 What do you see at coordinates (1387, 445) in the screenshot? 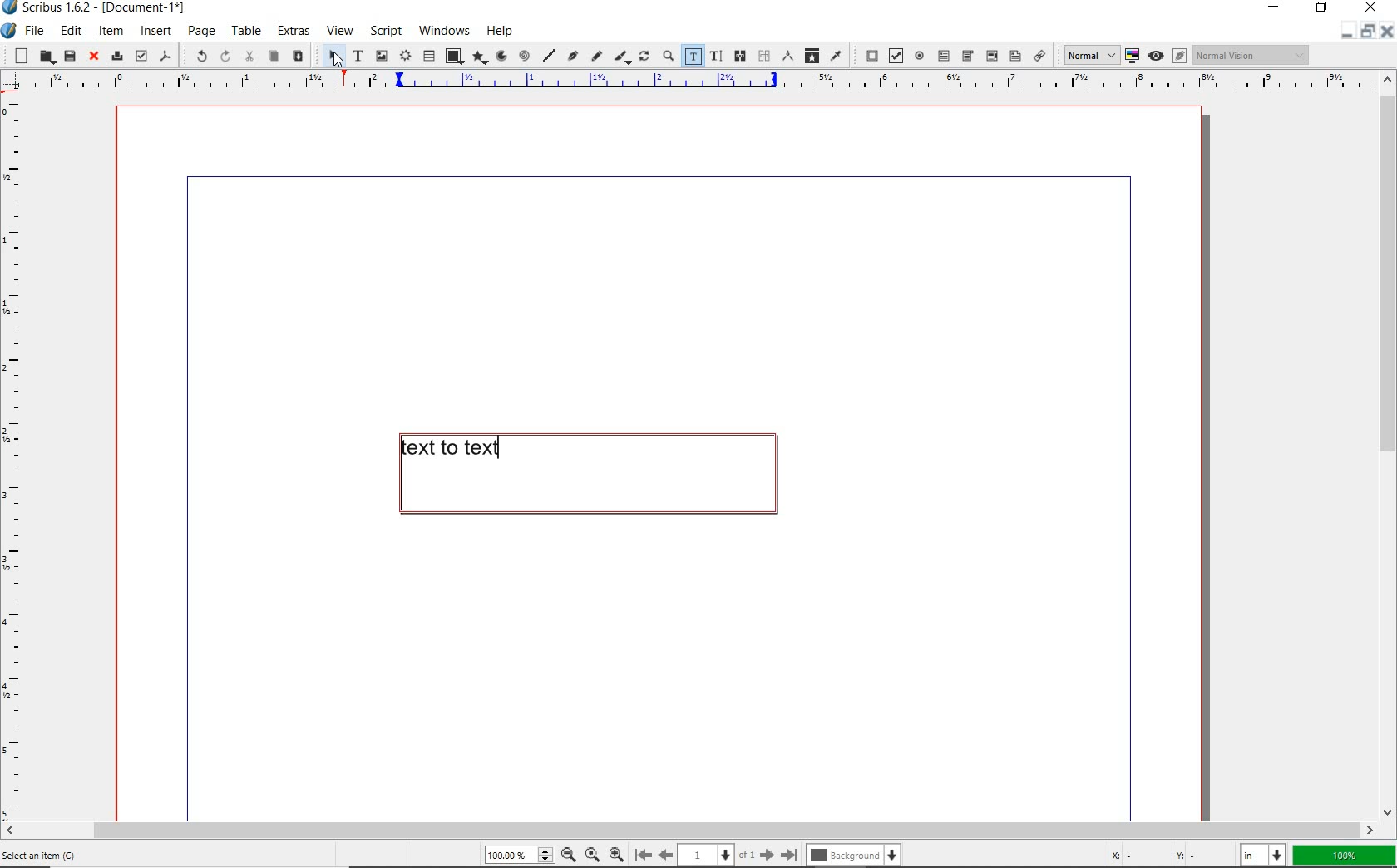
I see `scrollbar` at bounding box center [1387, 445].